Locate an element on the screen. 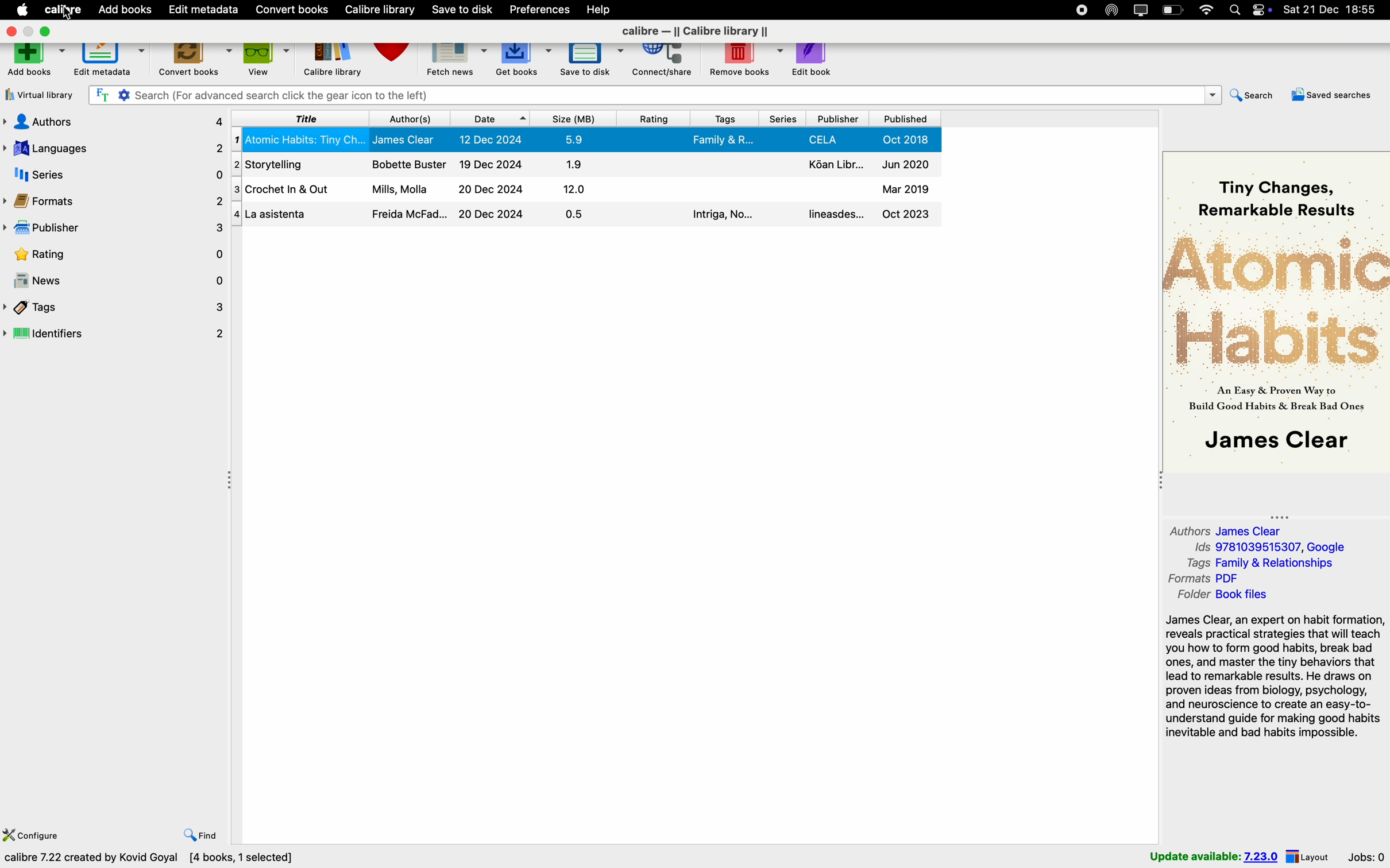 This screenshot has height=868, width=1390. virtual library is located at coordinates (39, 98).